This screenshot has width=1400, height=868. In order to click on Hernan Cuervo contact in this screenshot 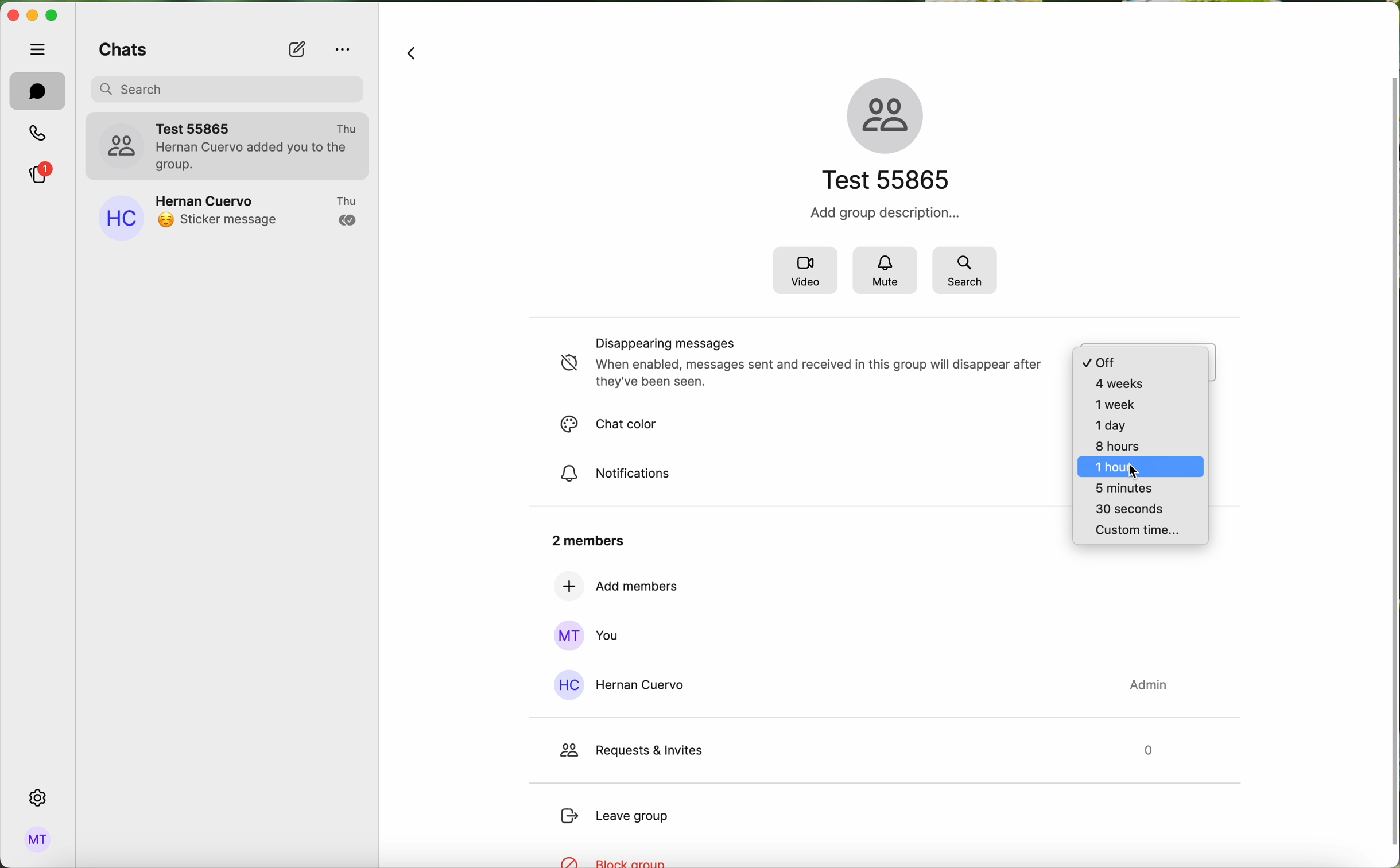, I will do `click(858, 687)`.